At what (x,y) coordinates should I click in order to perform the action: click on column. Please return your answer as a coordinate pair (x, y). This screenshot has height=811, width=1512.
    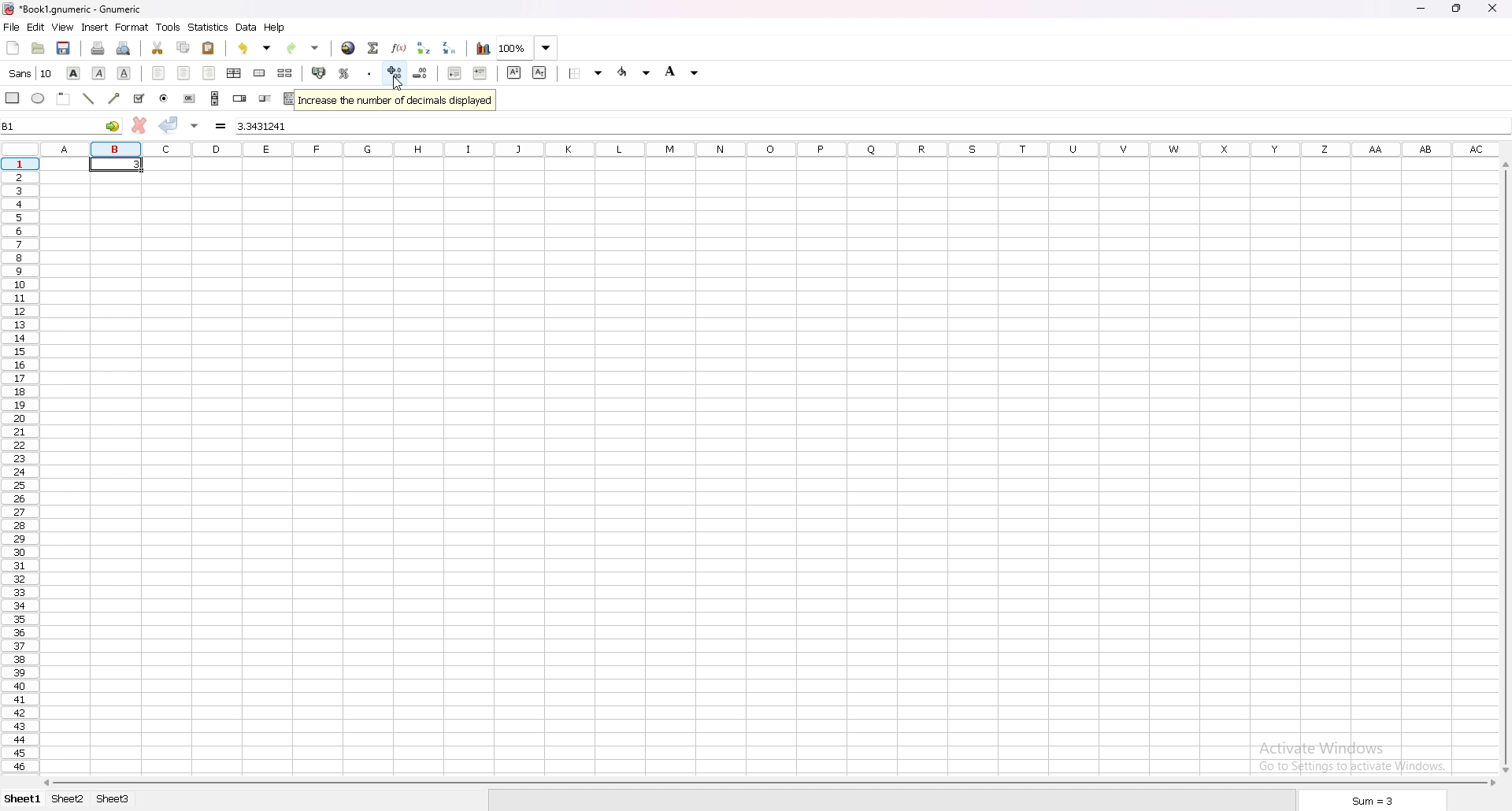
    Looking at the image, I should click on (772, 149).